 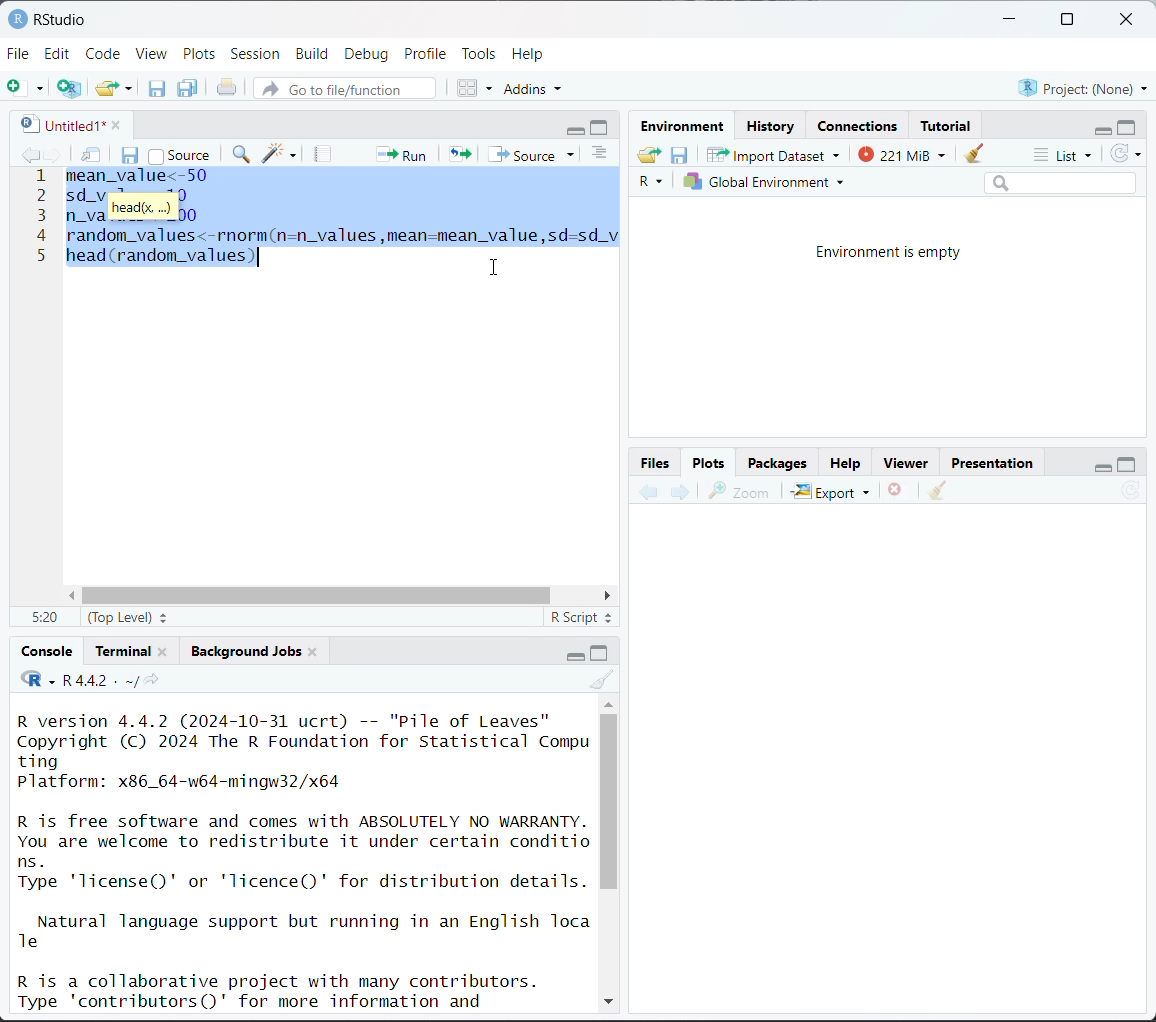 I want to click on previous plot, so click(x=649, y=493).